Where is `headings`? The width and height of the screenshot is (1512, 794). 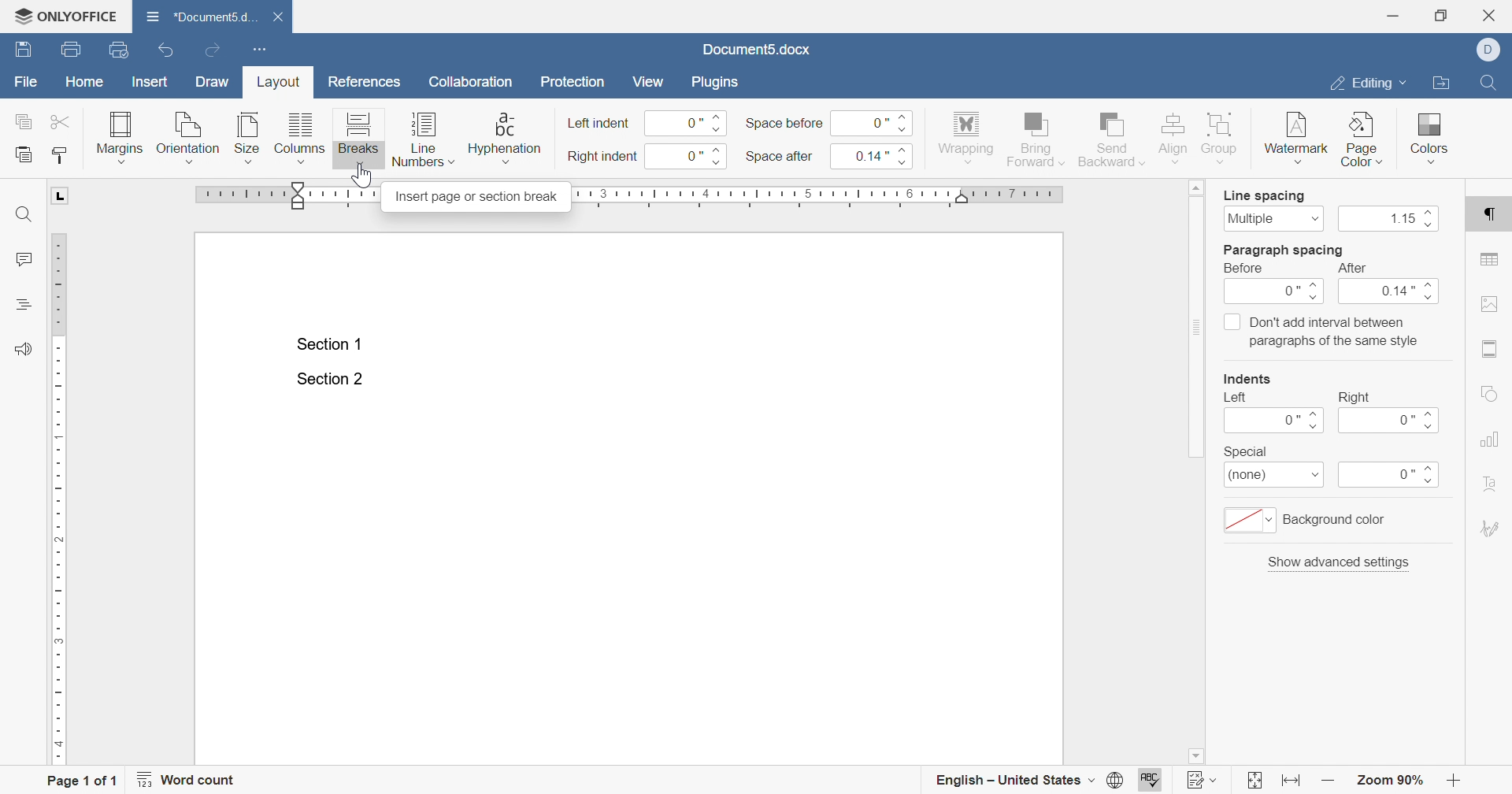
headings is located at coordinates (21, 305).